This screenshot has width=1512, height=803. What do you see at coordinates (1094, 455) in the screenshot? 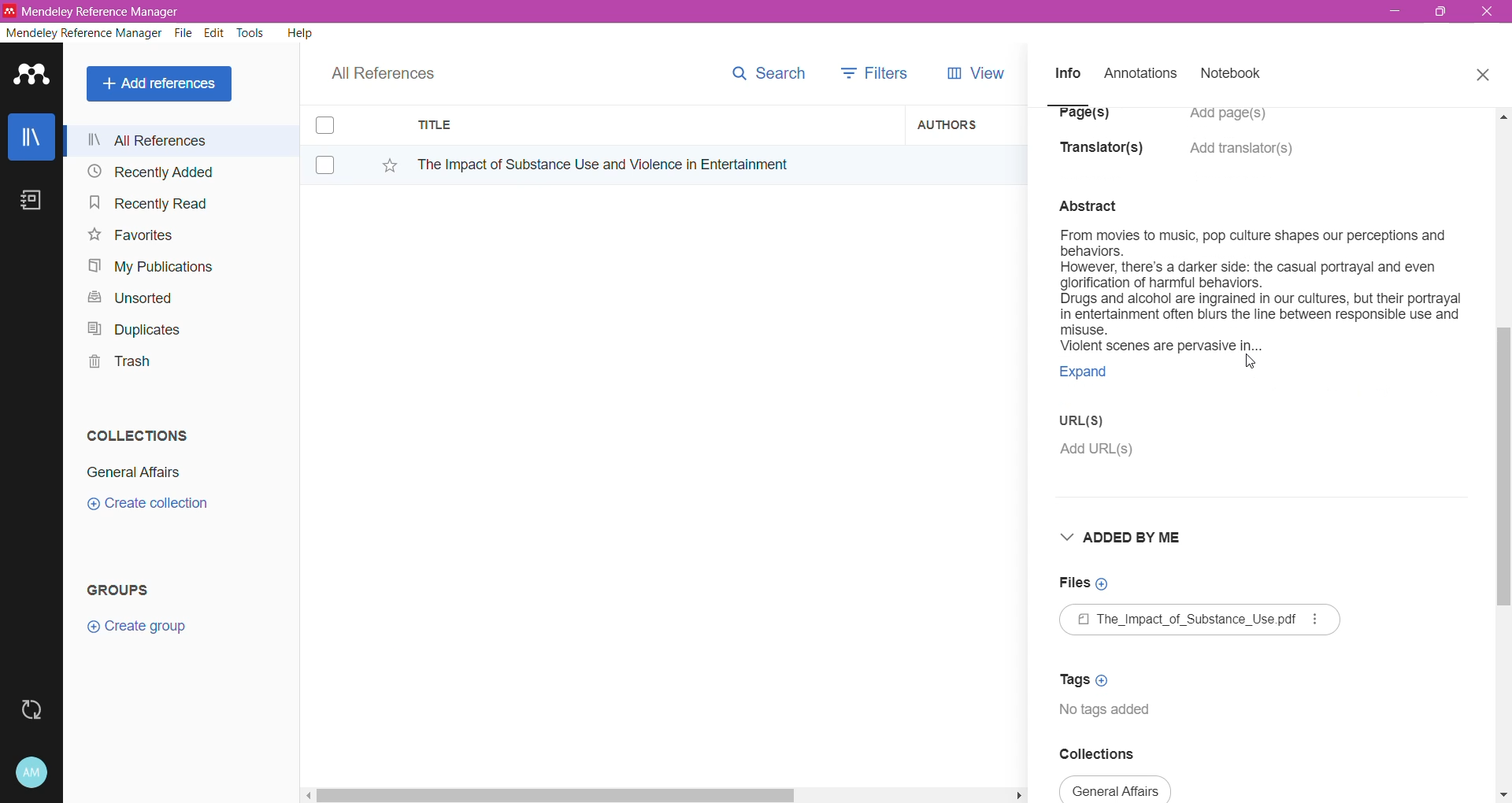
I see `Click to Add URL(s)` at bounding box center [1094, 455].